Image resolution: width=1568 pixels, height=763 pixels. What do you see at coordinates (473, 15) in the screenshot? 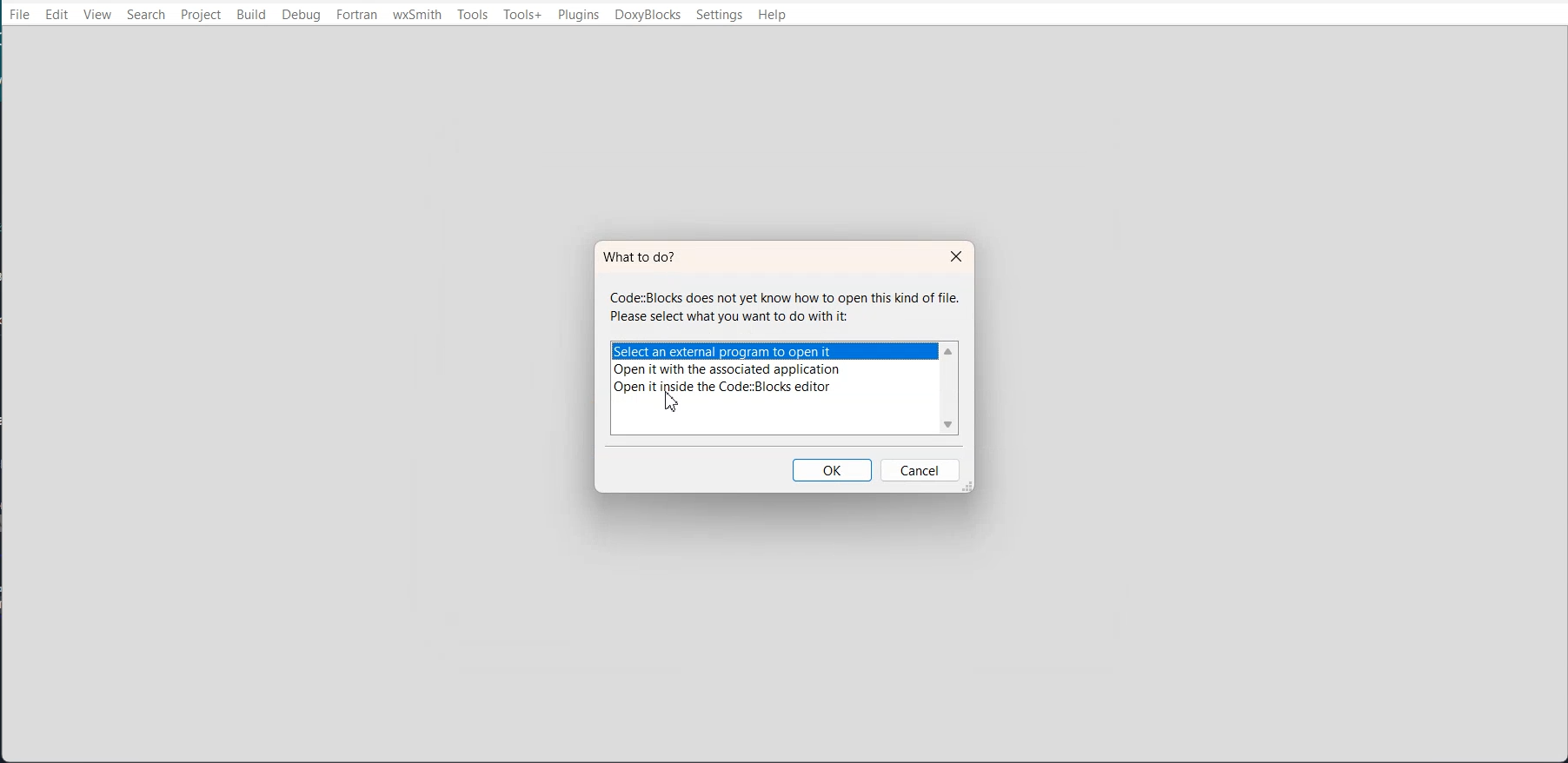
I see `Tools` at bounding box center [473, 15].